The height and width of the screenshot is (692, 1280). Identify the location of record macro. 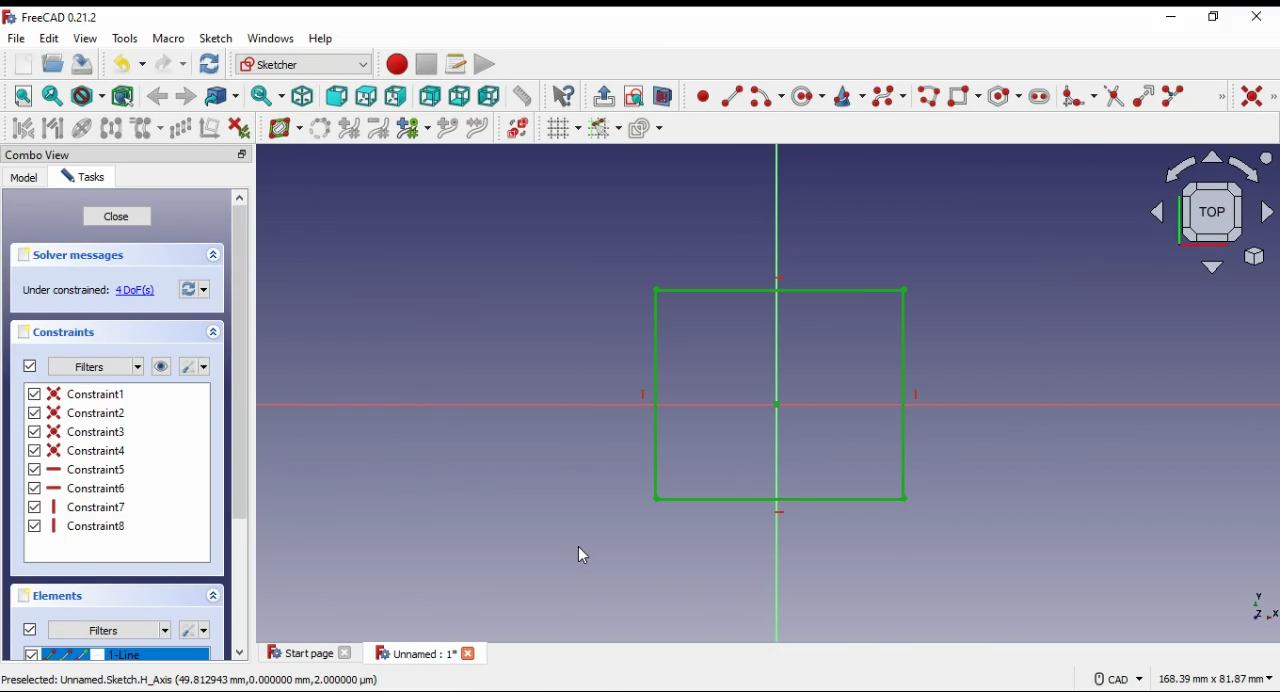
(396, 64).